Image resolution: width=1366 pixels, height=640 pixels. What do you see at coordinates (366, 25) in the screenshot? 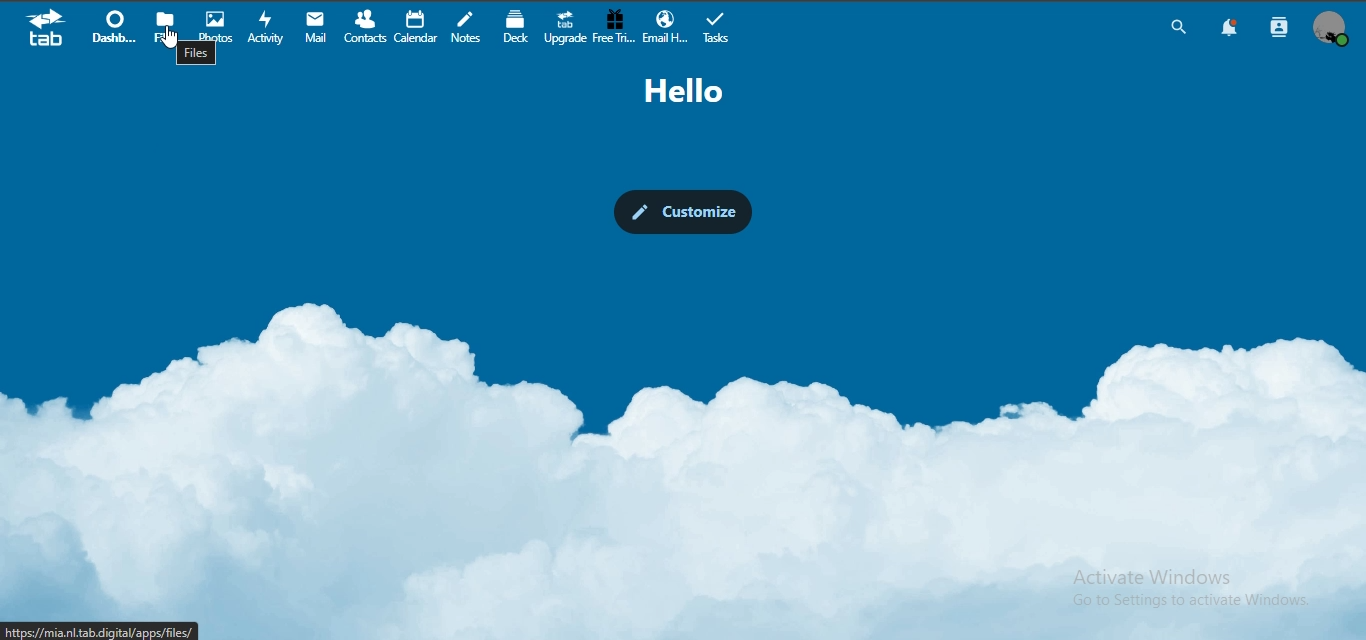
I see `contacts` at bounding box center [366, 25].